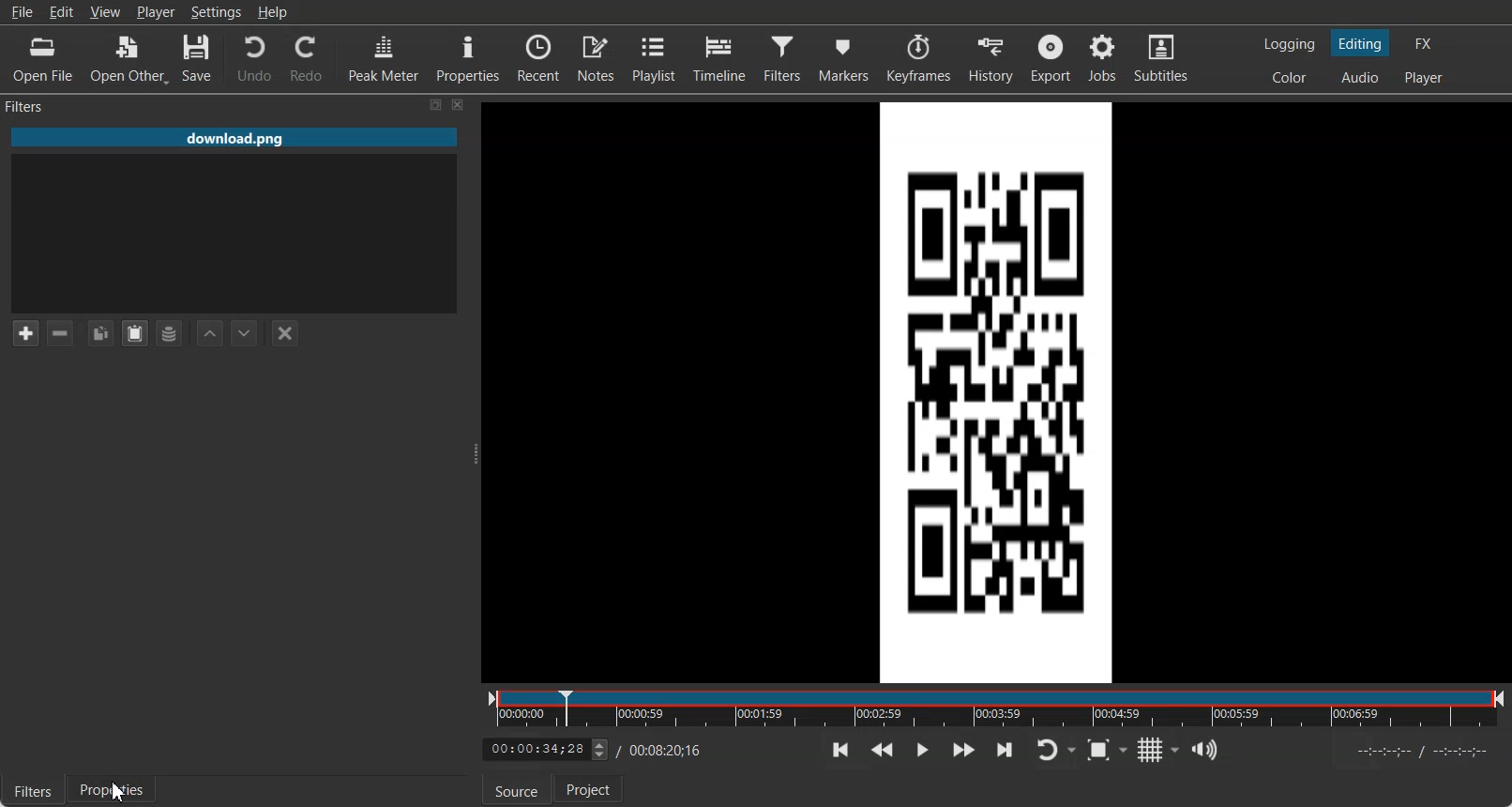 The height and width of the screenshot is (807, 1512). Describe the element at coordinates (119, 792) in the screenshot. I see `Cursor` at that location.